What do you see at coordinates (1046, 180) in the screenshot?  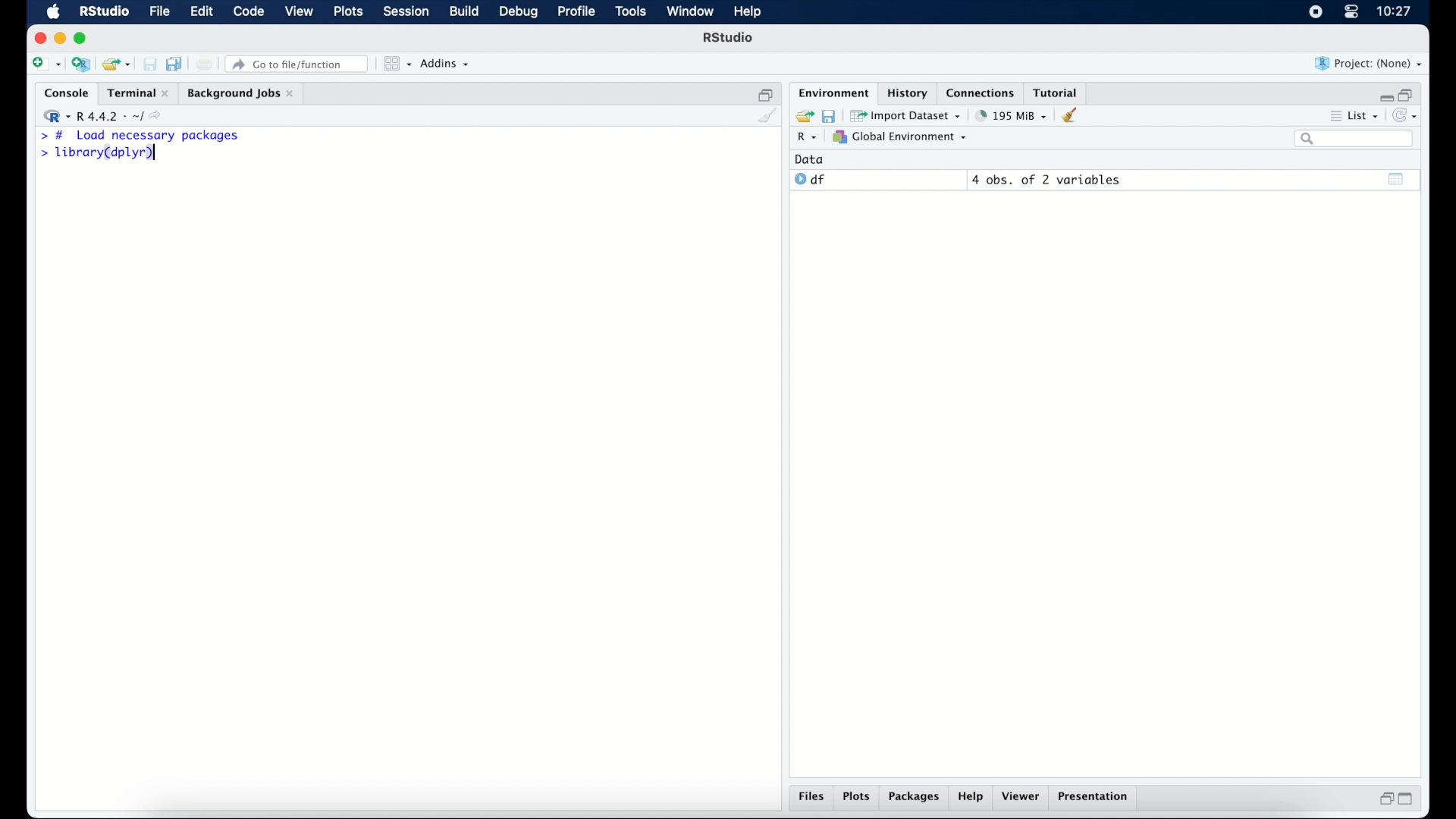 I see `4 obs, of 2 variables` at bounding box center [1046, 180].